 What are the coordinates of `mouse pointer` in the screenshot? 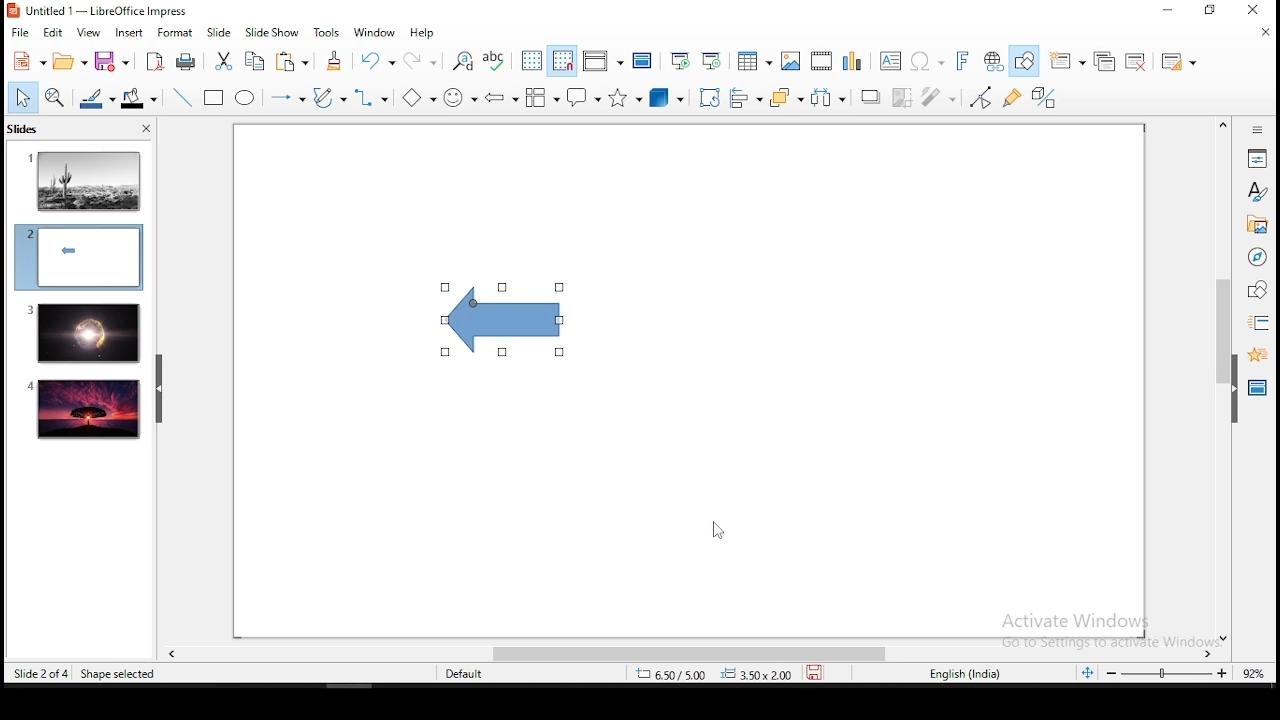 It's located at (714, 529).